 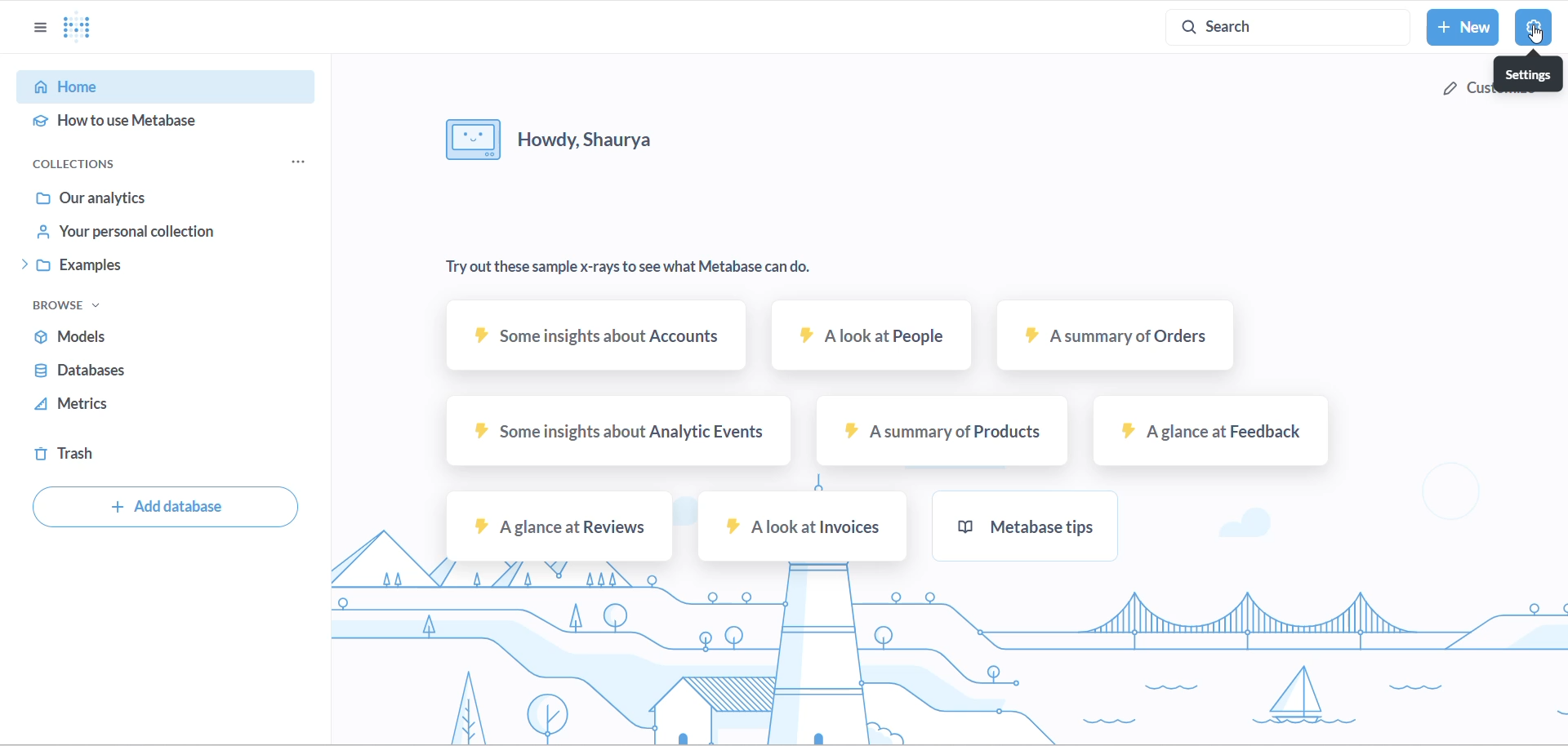 I want to click on OPTIONS, so click(x=303, y=165).